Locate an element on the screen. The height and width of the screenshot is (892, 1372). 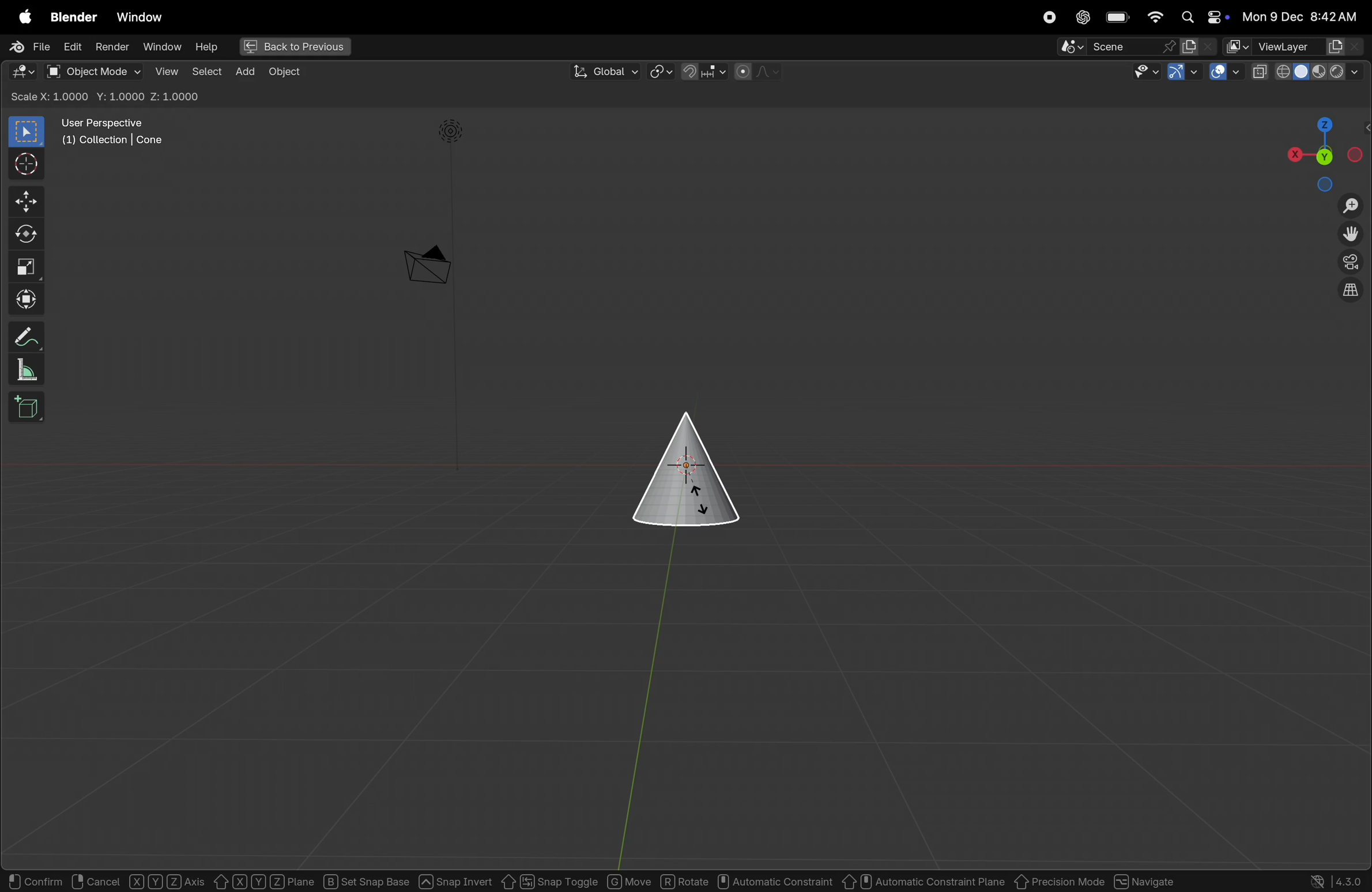
battery is located at coordinates (1118, 17).